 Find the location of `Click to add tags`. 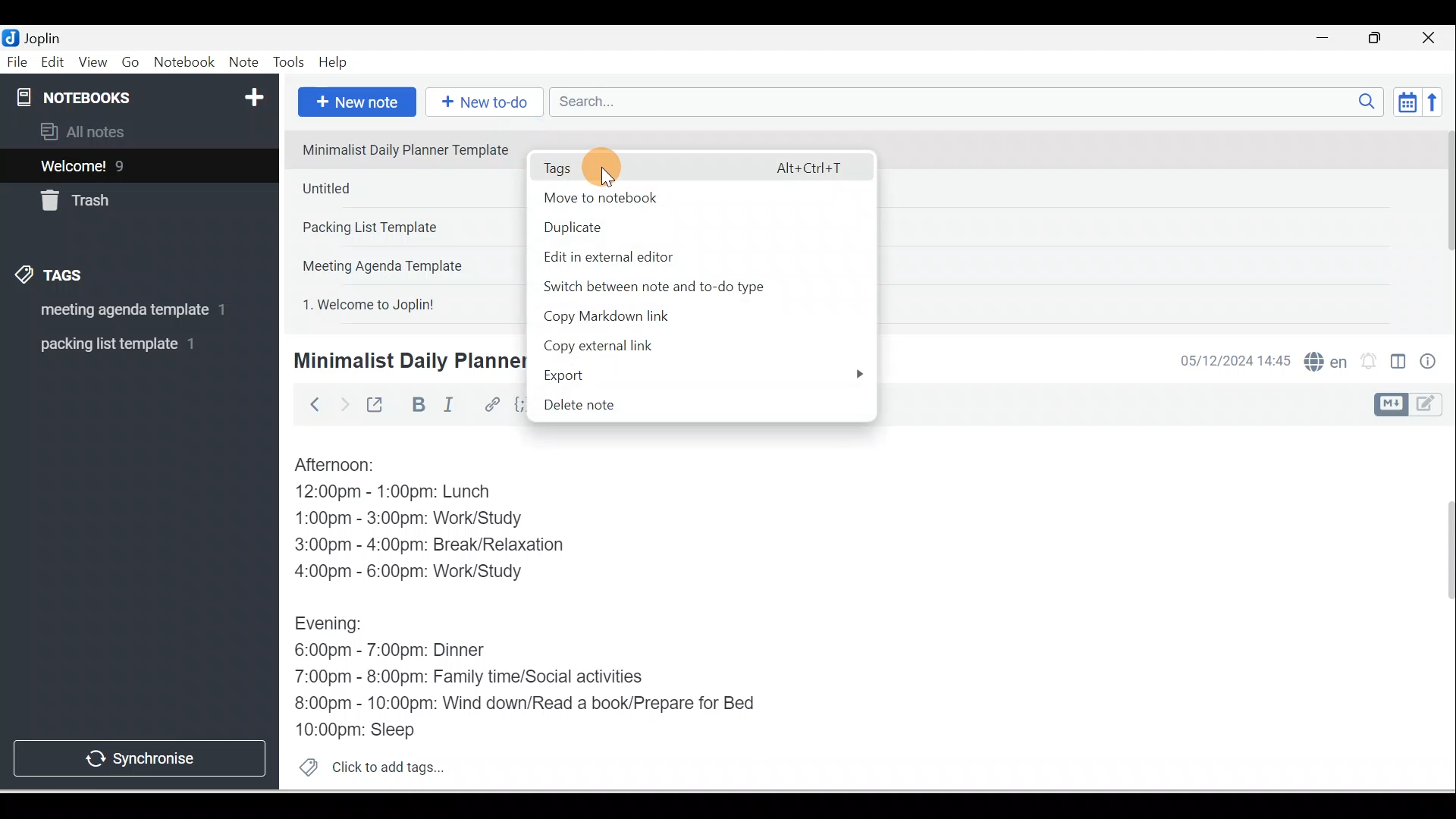

Click to add tags is located at coordinates (366, 765).